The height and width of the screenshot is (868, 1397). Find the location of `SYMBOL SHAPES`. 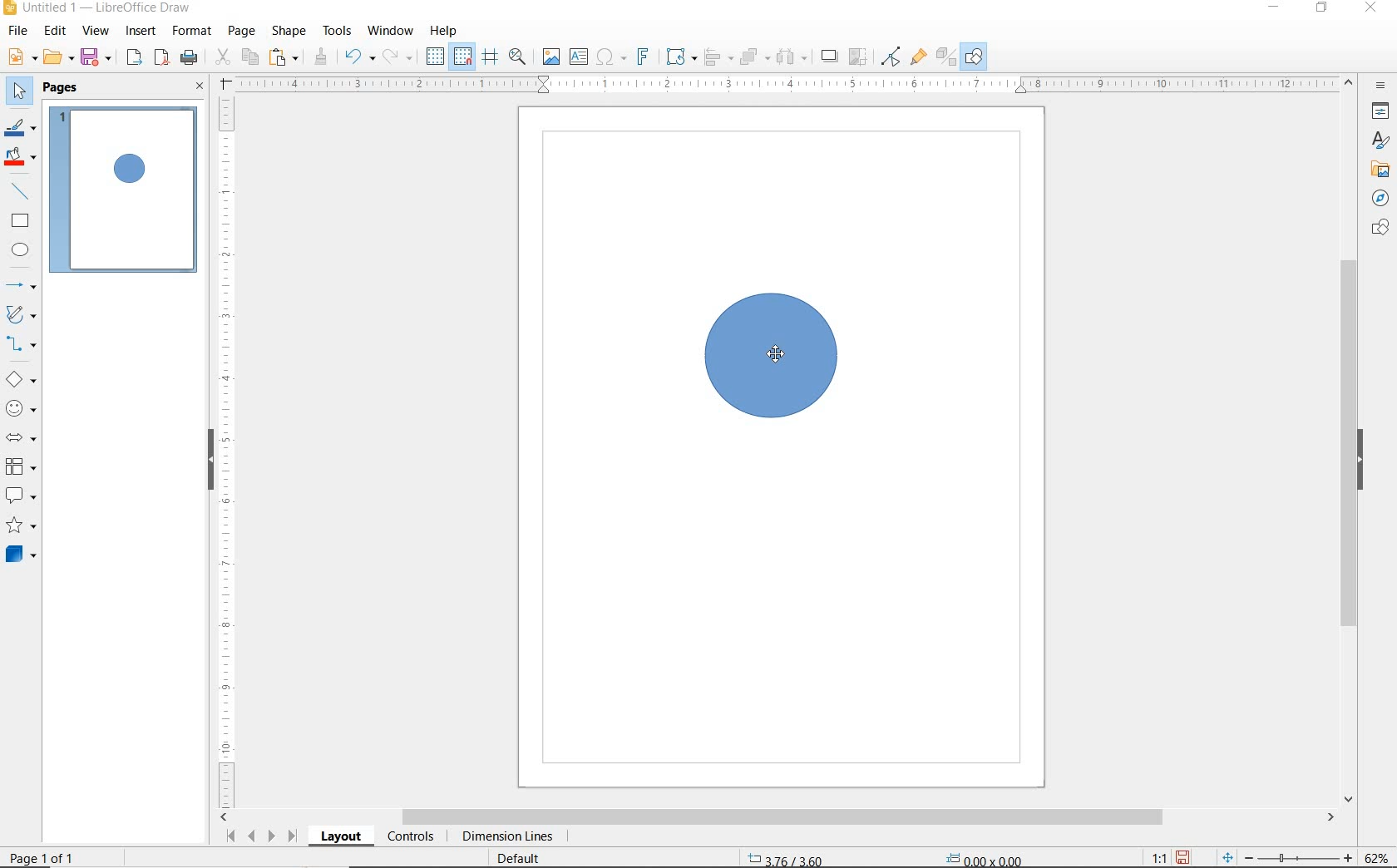

SYMBOL SHAPES is located at coordinates (22, 407).